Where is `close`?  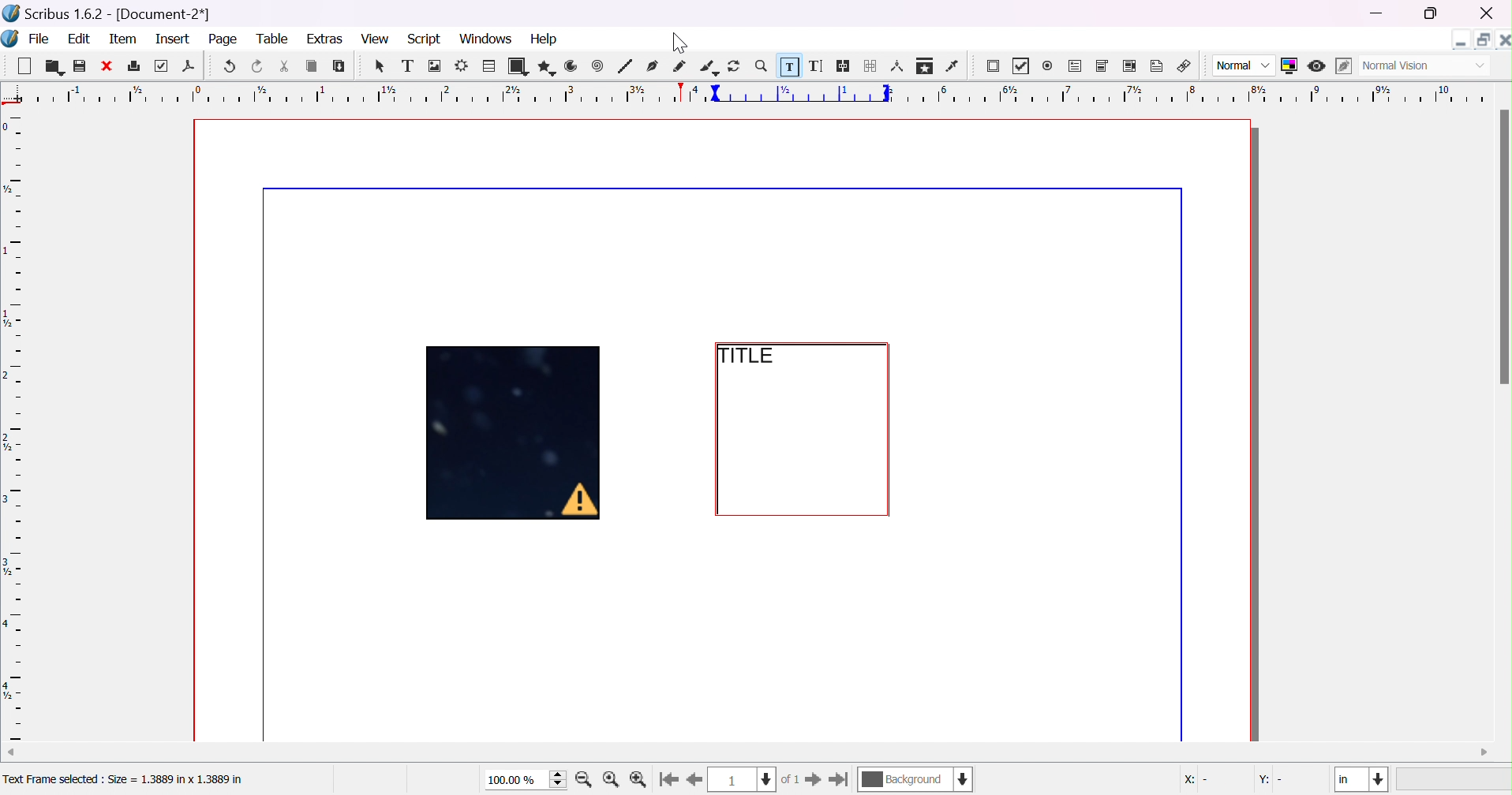 close is located at coordinates (105, 66).